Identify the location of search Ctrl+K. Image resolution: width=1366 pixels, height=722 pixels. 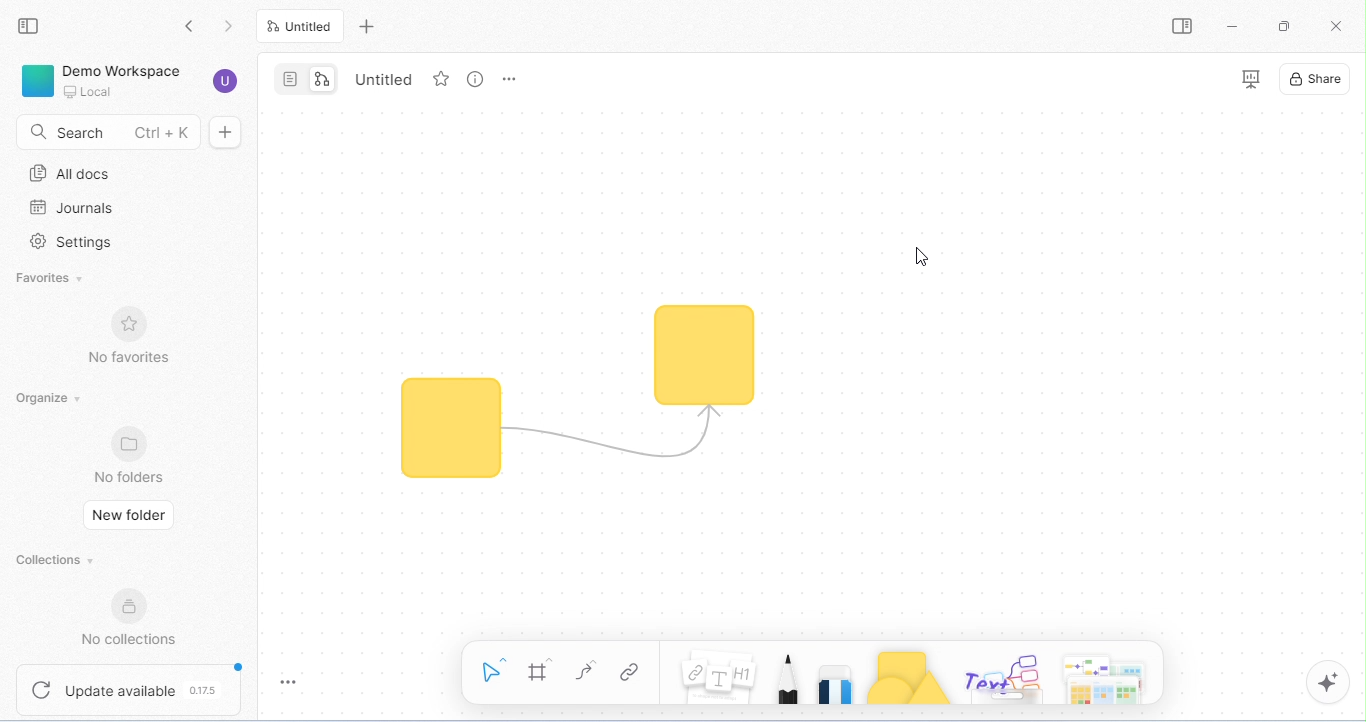
(105, 130).